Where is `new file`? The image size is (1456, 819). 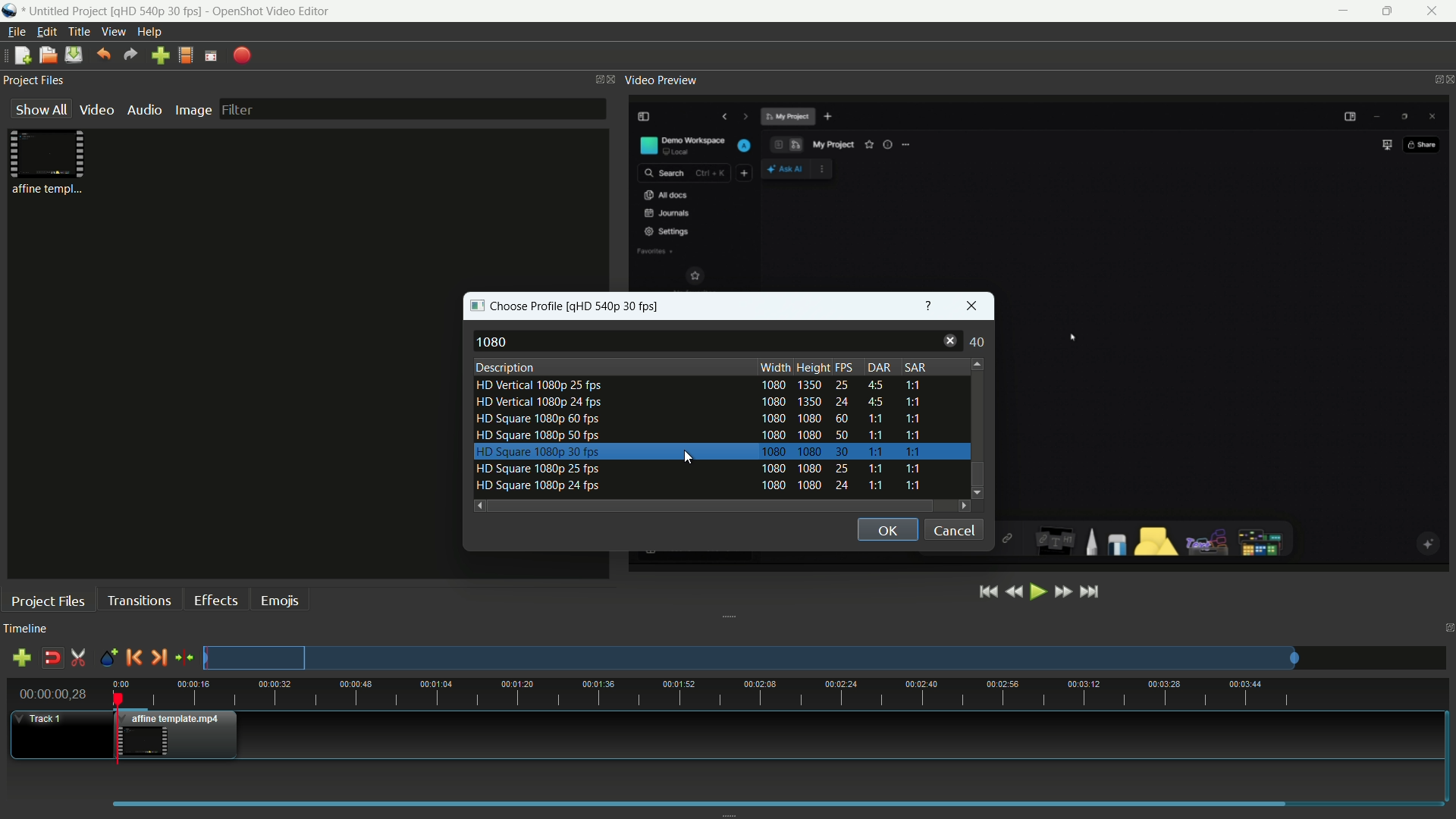 new file is located at coordinates (20, 55).